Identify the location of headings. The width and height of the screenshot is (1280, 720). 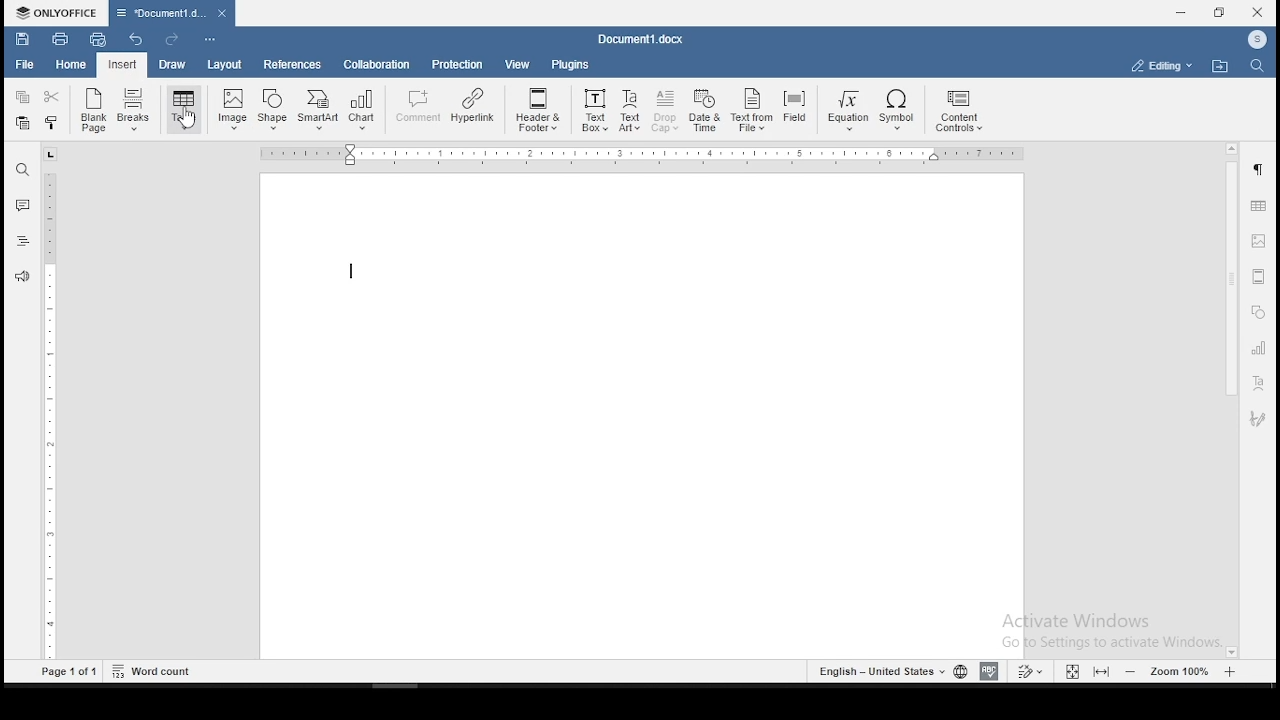
(23, 241).